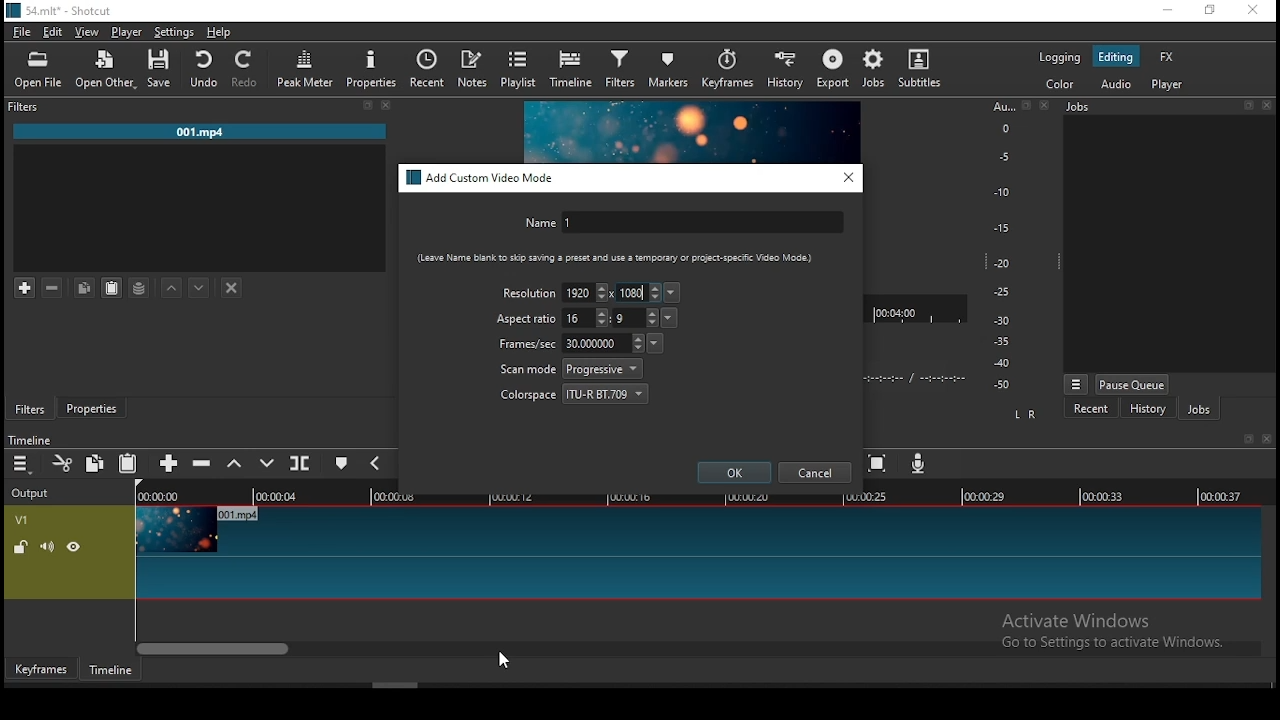  I want to click on restore, so click(1248, 106).